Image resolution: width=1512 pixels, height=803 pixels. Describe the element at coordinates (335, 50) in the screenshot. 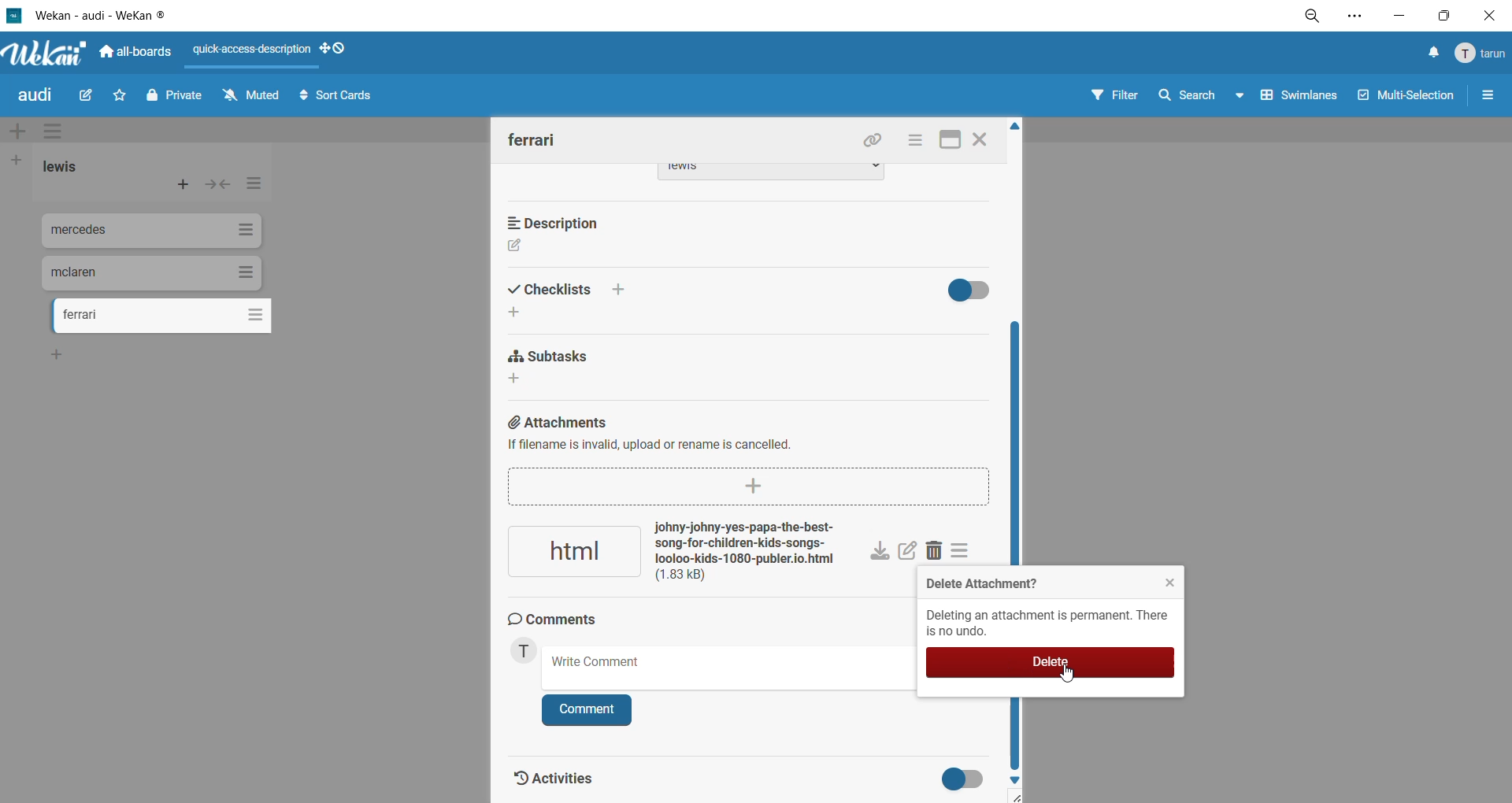

I see `show desktop drag handles` at that location.